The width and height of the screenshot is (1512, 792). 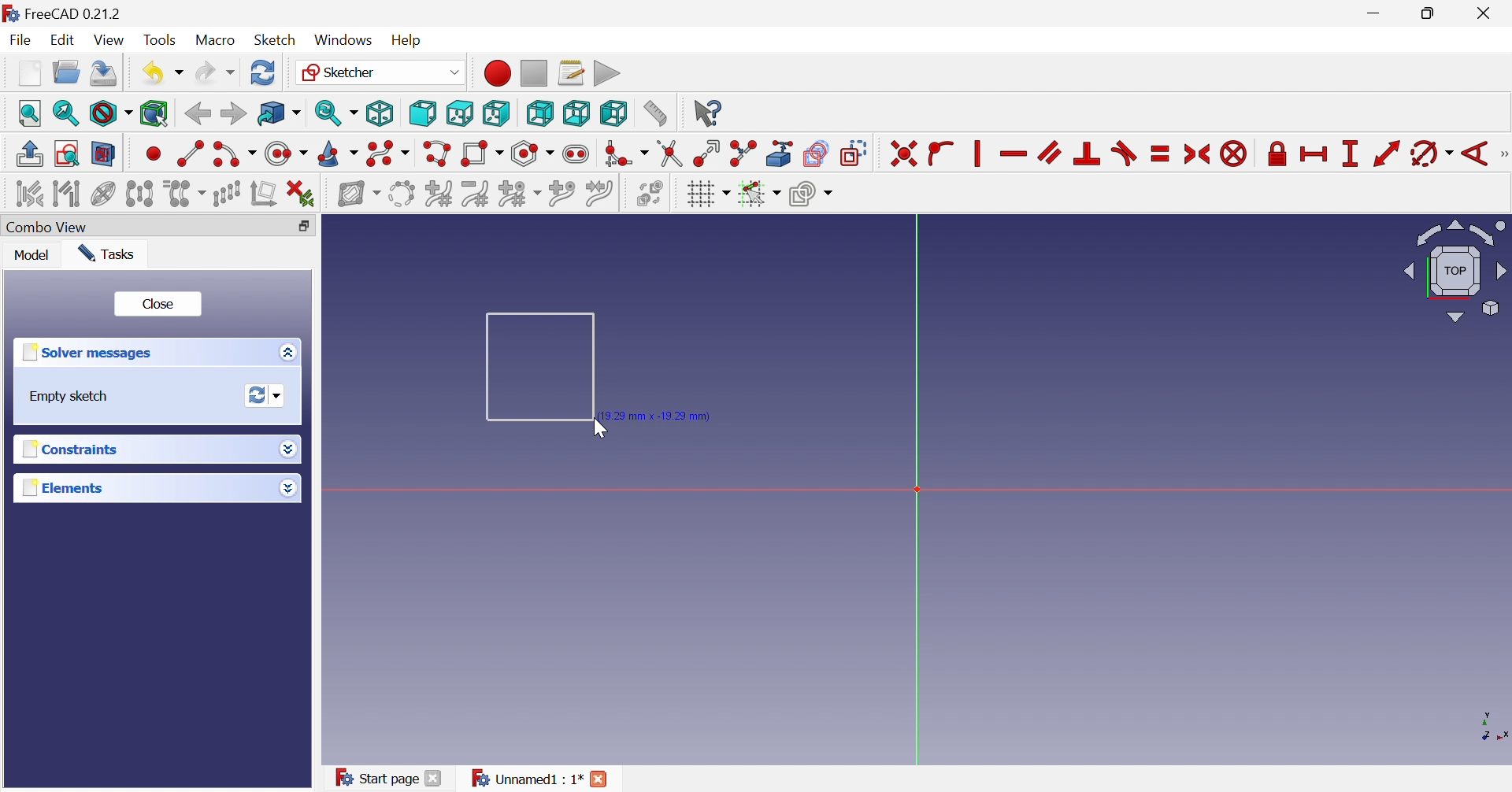 I want to click on Save, so click(x=104, y=73).